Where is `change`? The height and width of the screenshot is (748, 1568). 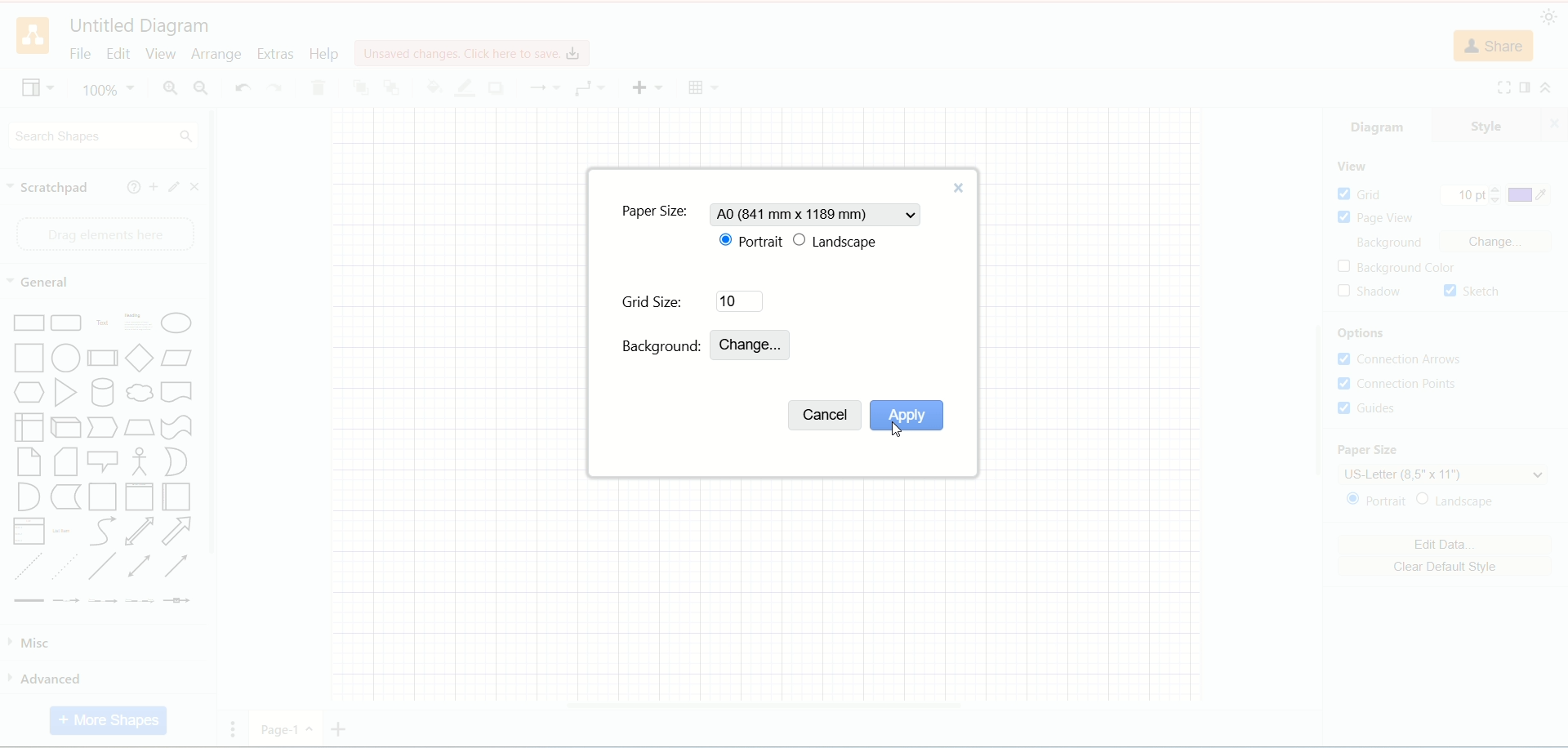 change is located at coordinates (1501, 243).